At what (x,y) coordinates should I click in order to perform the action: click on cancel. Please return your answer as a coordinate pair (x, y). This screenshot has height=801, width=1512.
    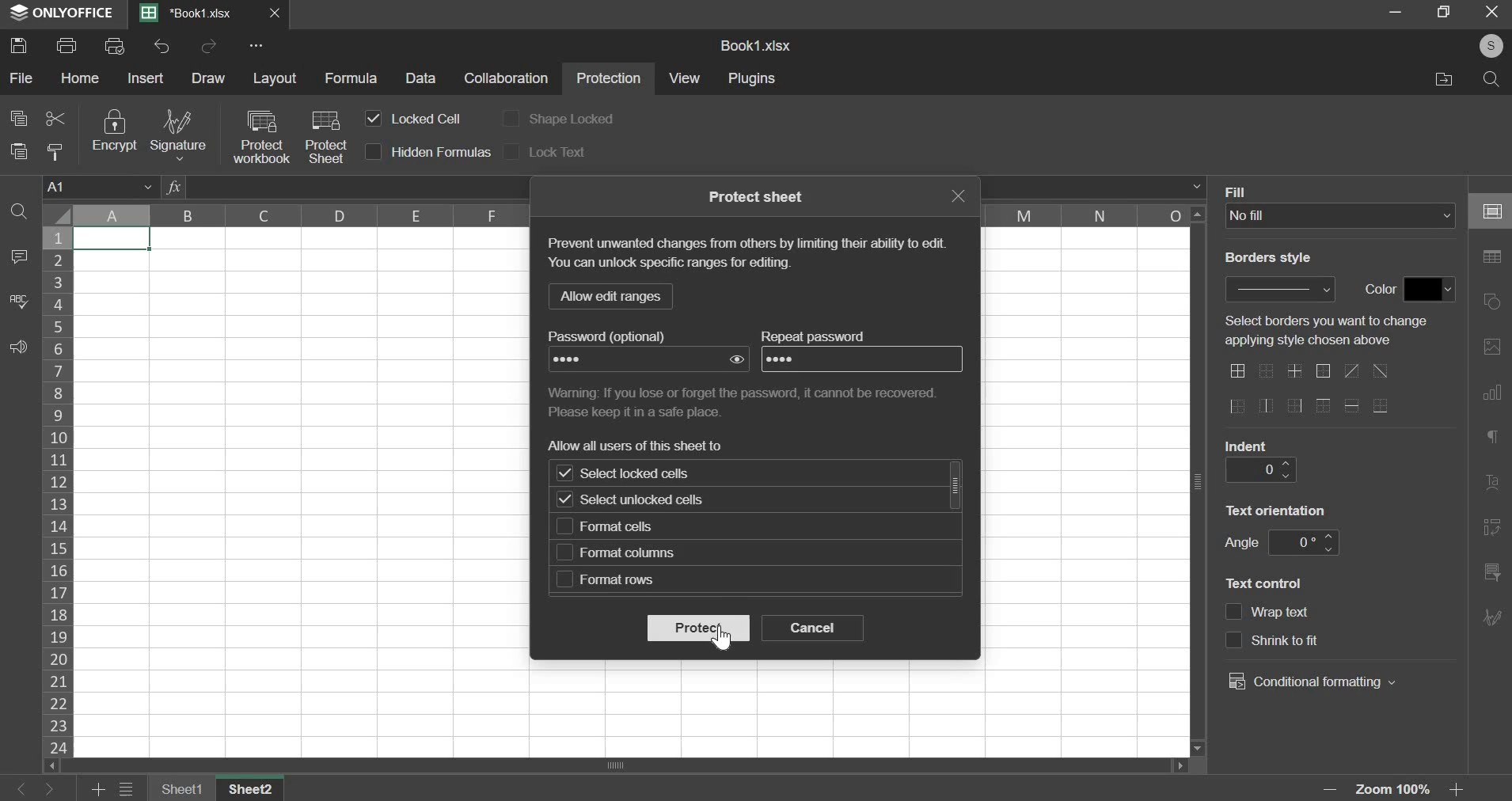
    Looking at the image, I should click on (813, 628).